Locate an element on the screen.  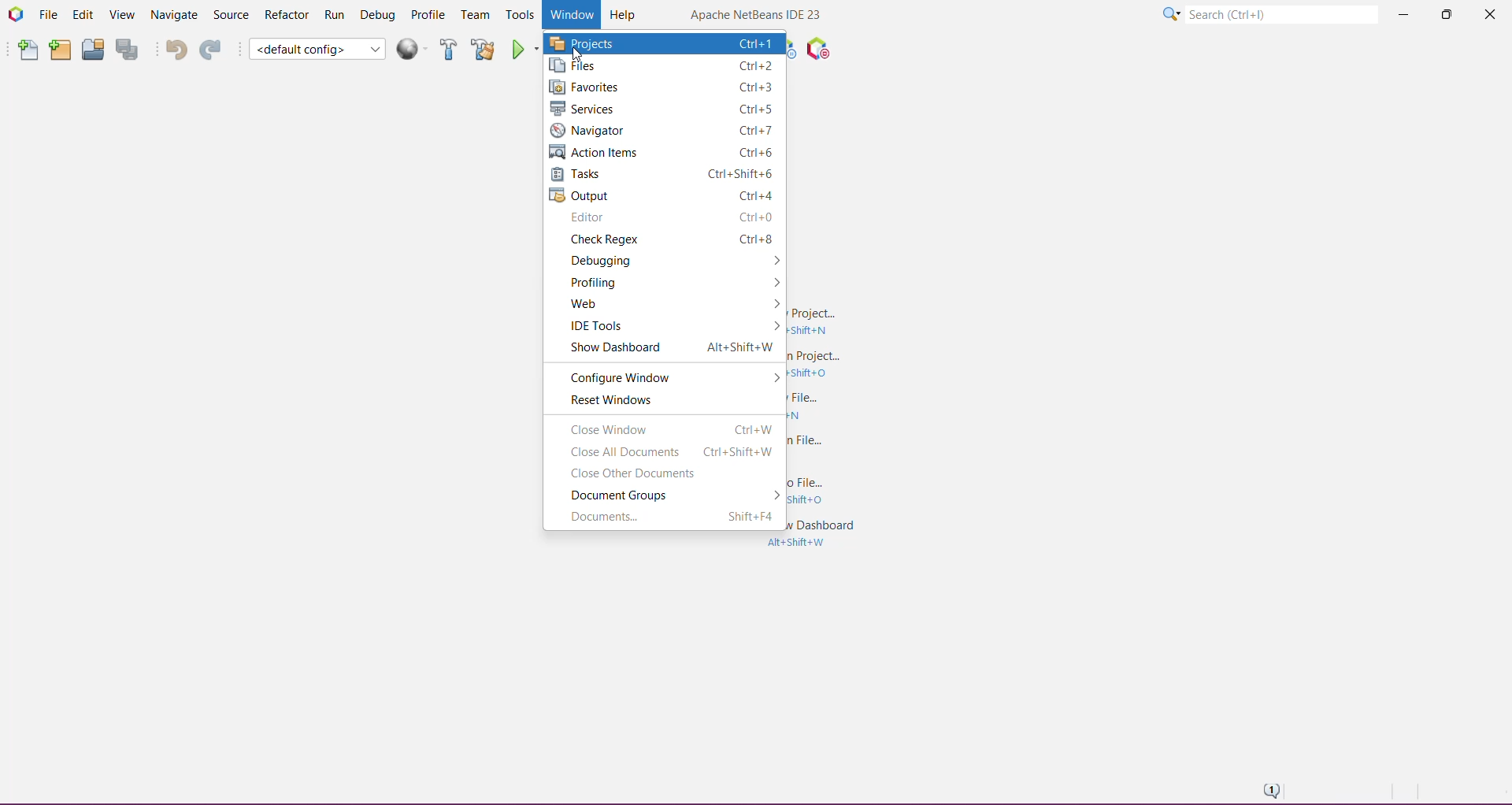
Services is located at coordinates (663, 108).